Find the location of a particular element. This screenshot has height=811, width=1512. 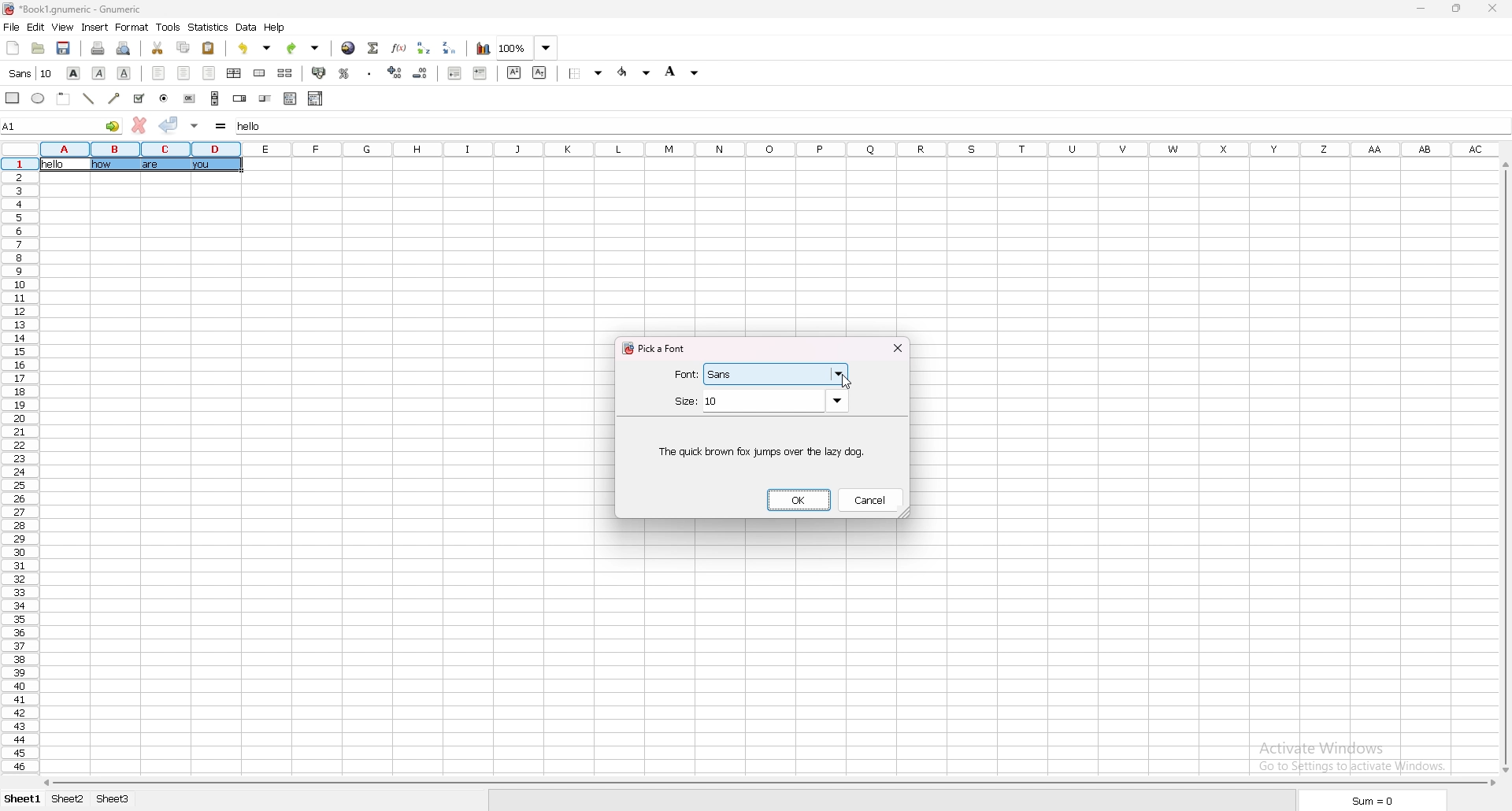

print preview is located at coordinates (124, 47).